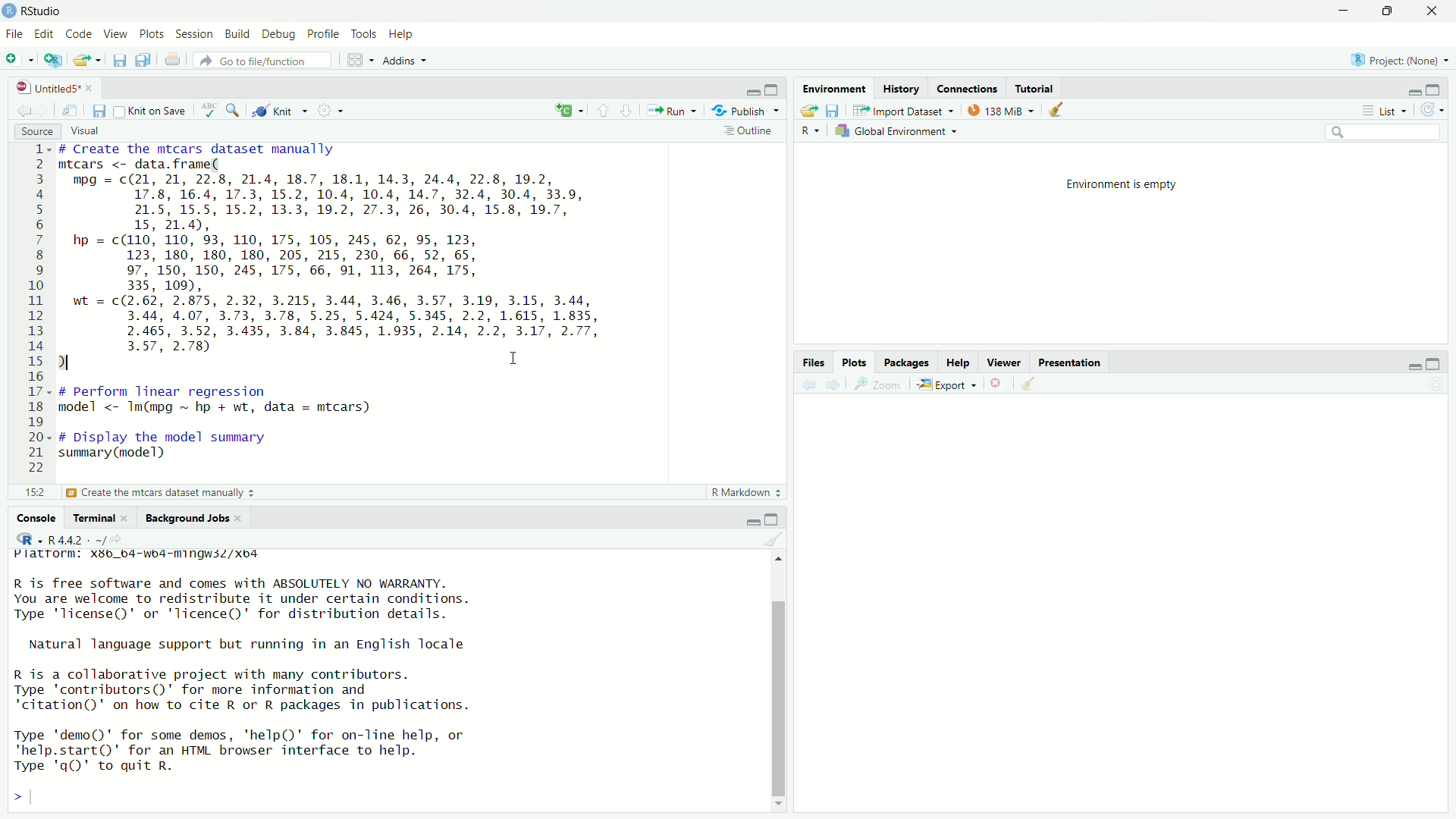  I want to click on insert new code chunk, so click(567, 110).